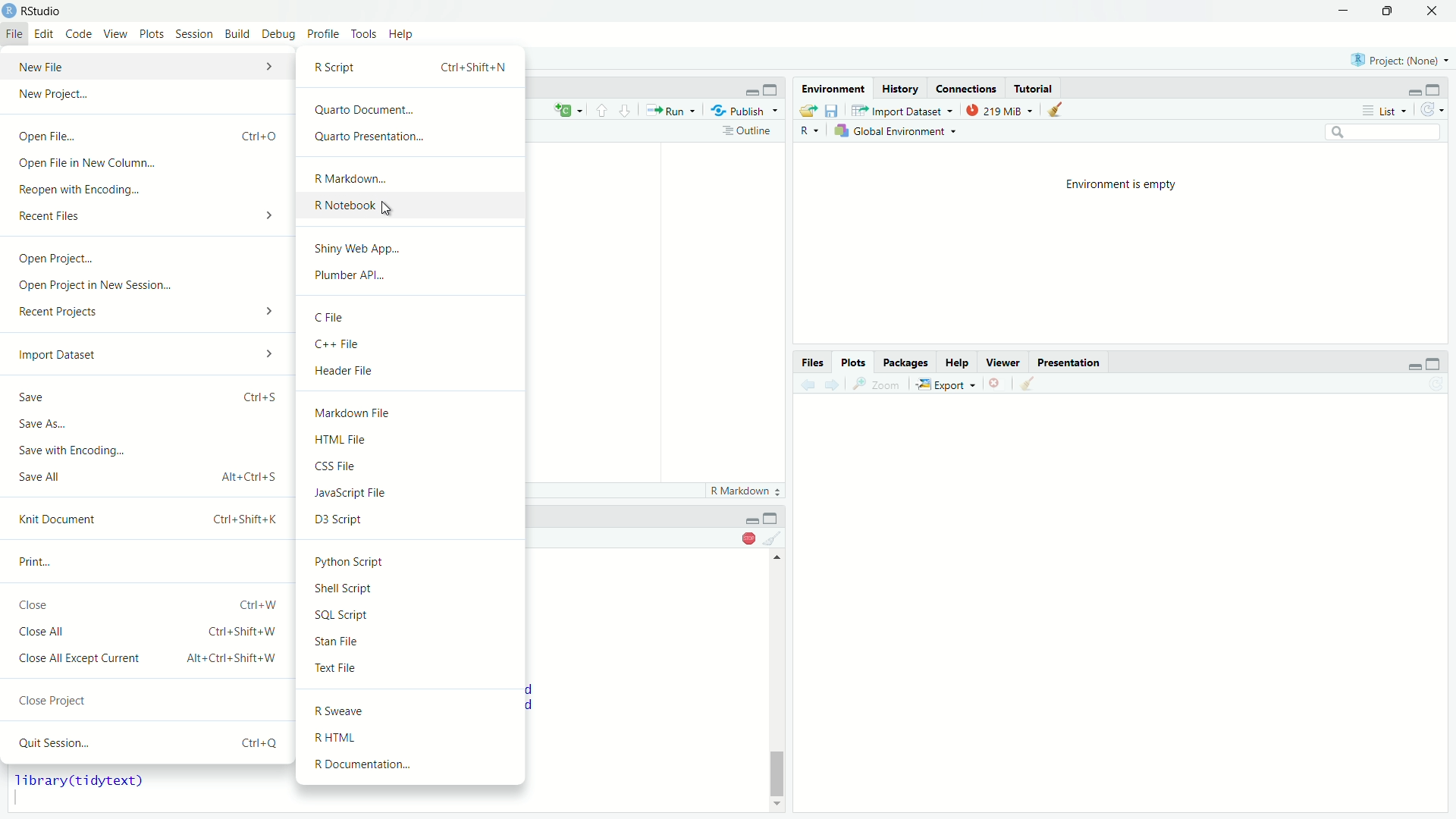 Image resolution: width=1456 pixels, height=819 pixels. I want to click on previous plot, so click(807, 384).